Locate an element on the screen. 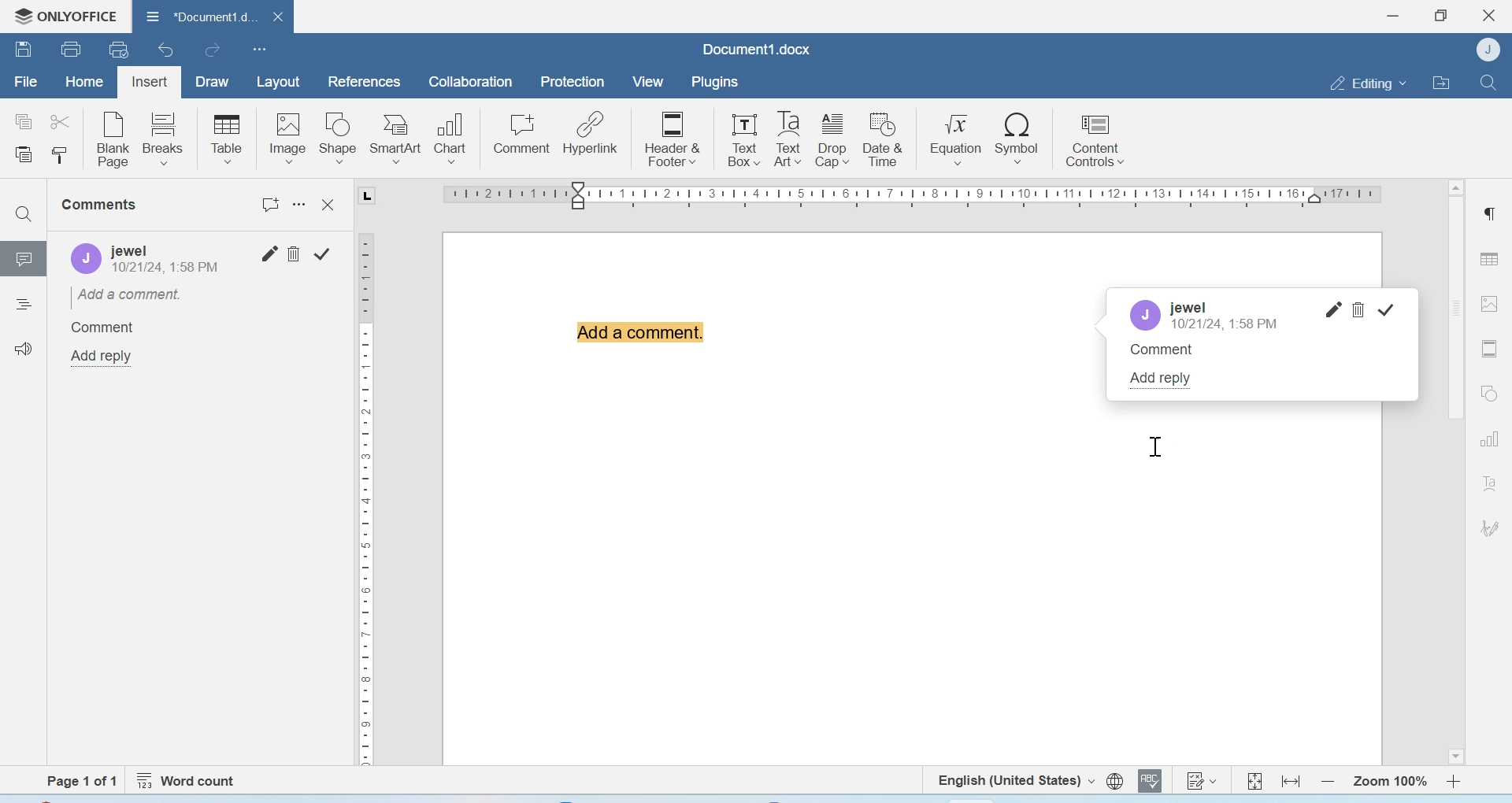  Find is located at coordinates (1487, 82).